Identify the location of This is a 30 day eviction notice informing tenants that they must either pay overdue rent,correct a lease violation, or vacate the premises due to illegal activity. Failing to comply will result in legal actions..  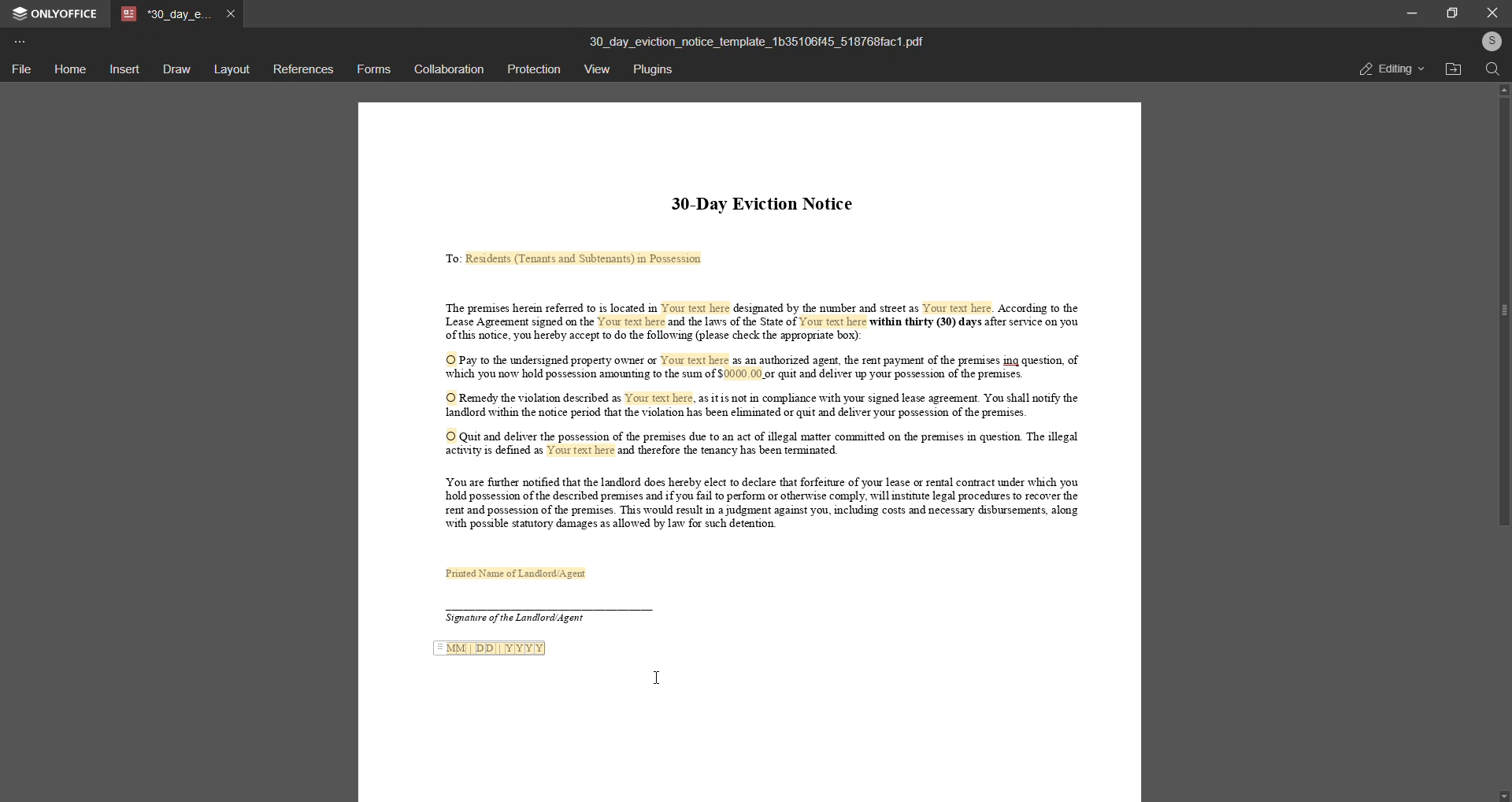
(750, 448).